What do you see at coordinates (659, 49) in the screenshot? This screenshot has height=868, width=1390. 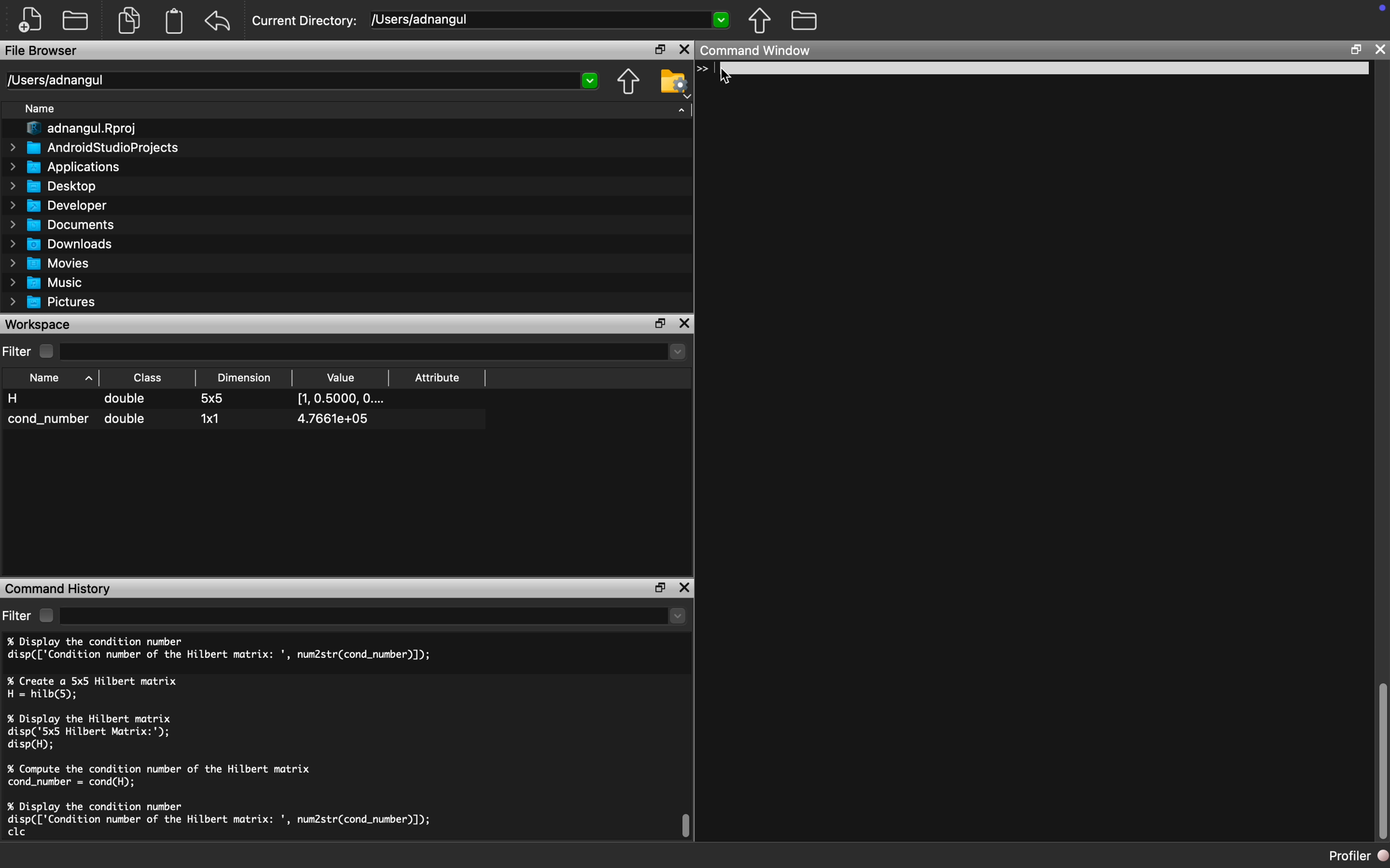 I see `Restore Down` at bounding box center [659, 49].